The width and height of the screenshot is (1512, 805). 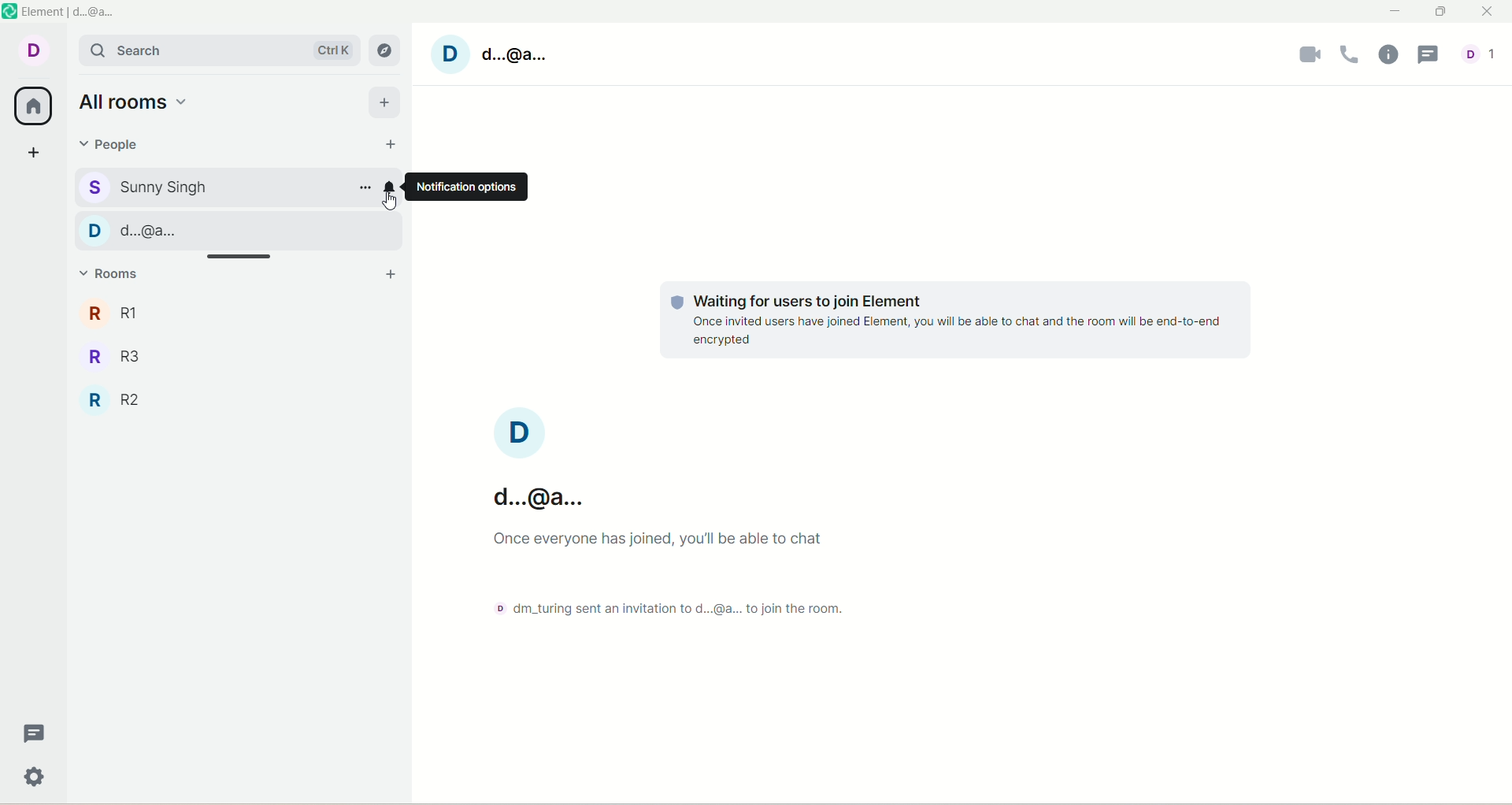 I want to click on all rooms, so click(x=141, y=105).